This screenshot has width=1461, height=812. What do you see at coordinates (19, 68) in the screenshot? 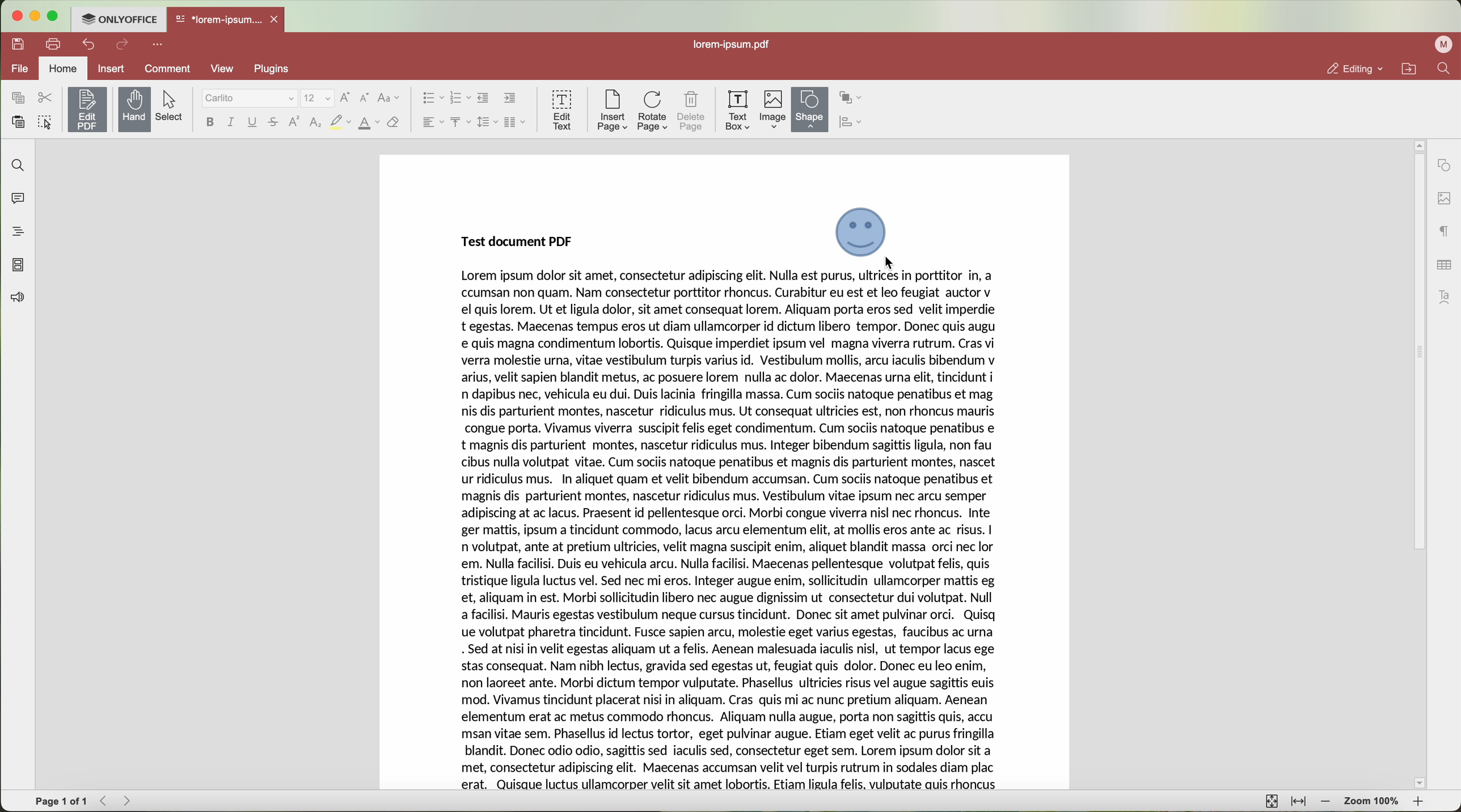
I see `file` at bounding box center [19, 68].